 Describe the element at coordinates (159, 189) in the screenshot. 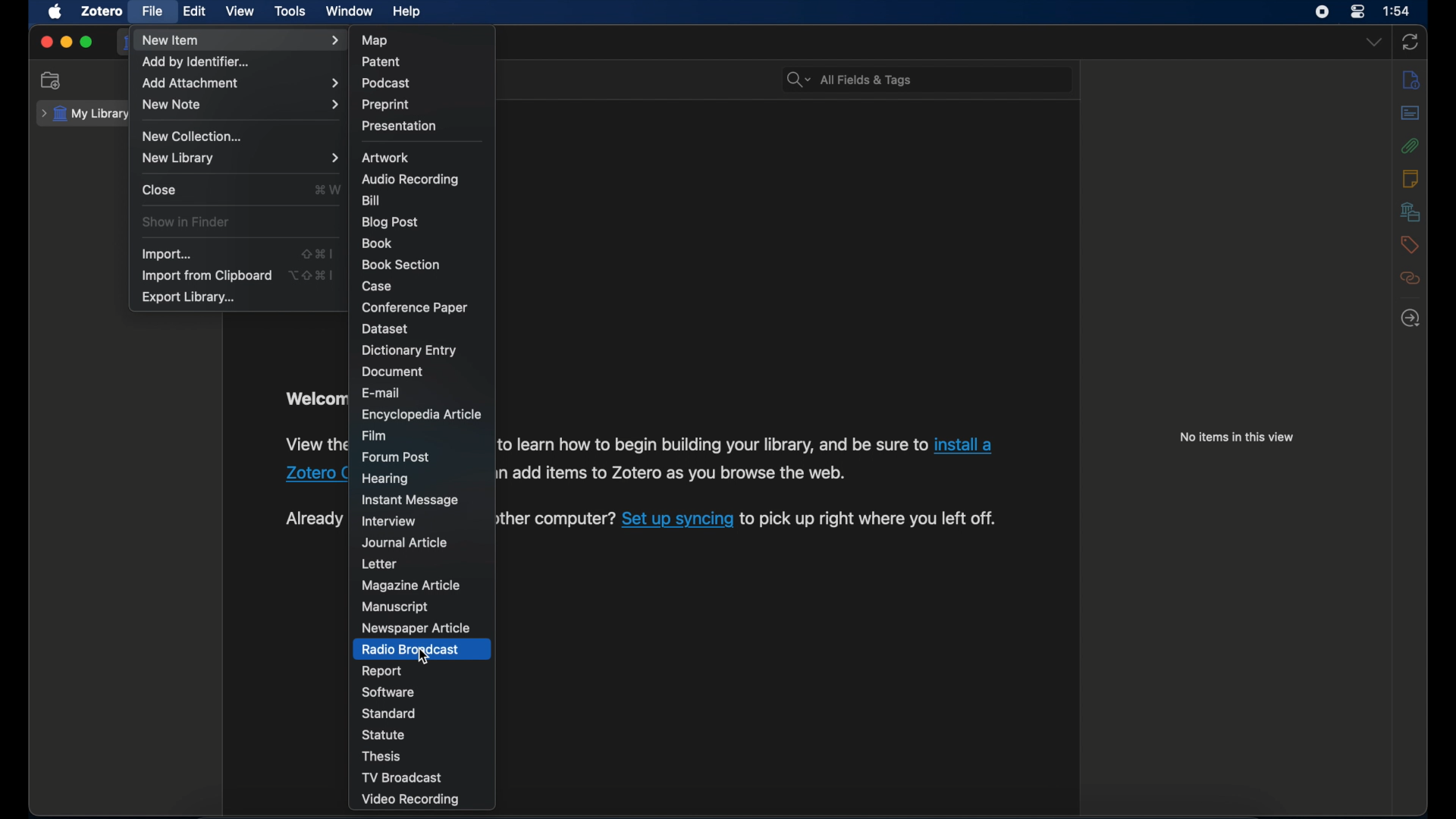

I see `close` at that location.